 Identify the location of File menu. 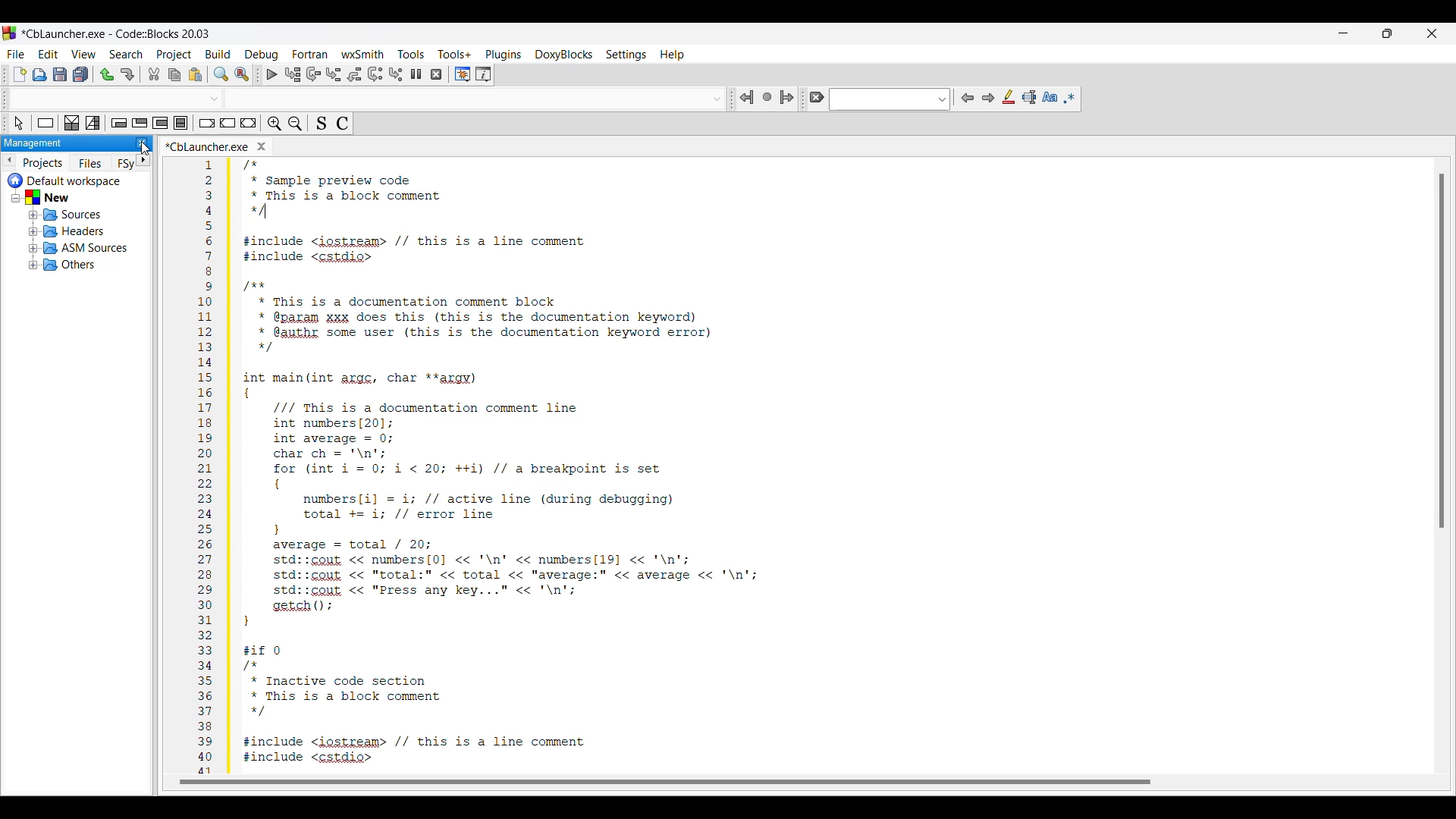
(16, 54).